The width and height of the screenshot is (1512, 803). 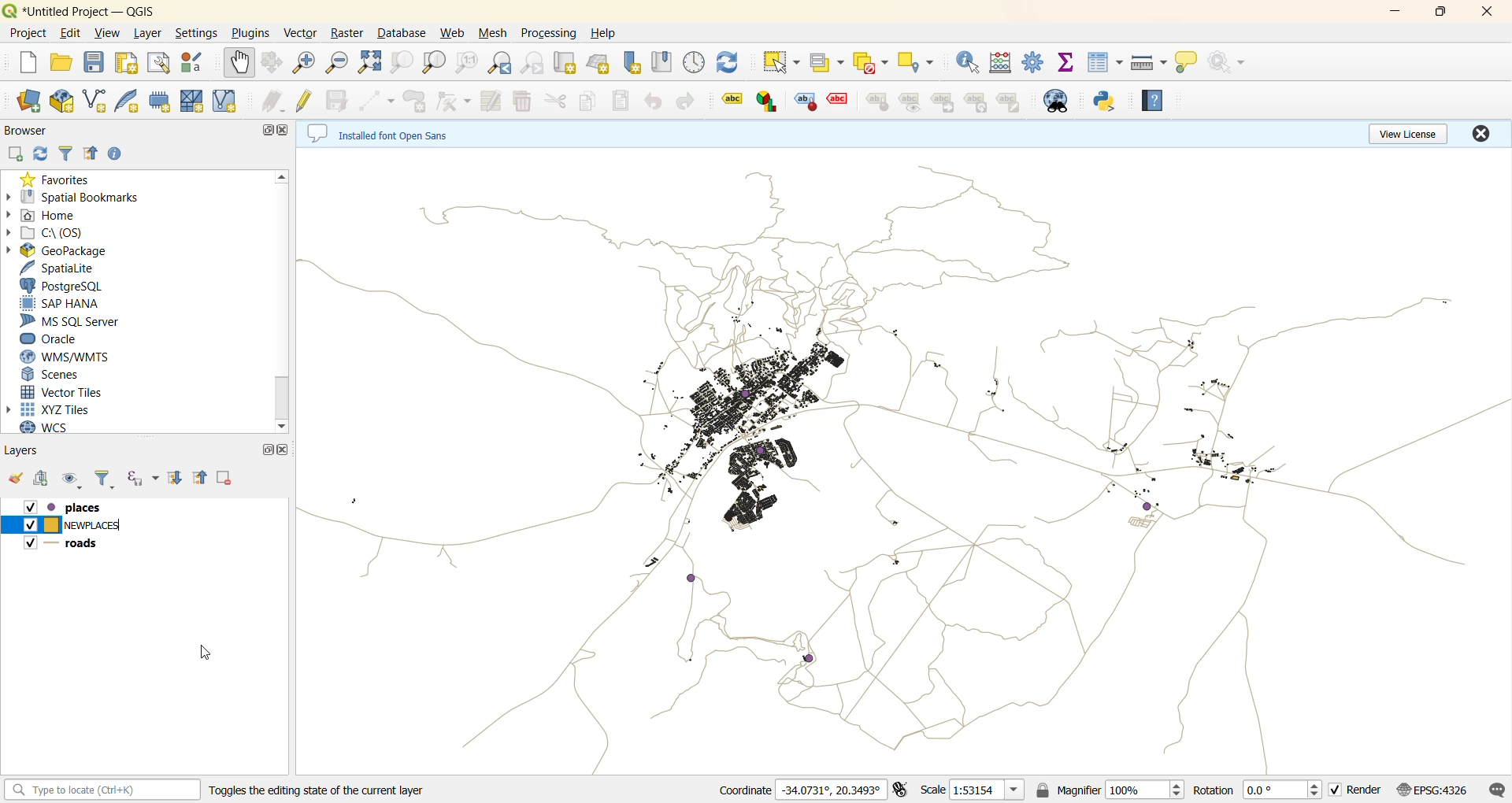 I want to click on effect, so click(x=838, y=103).